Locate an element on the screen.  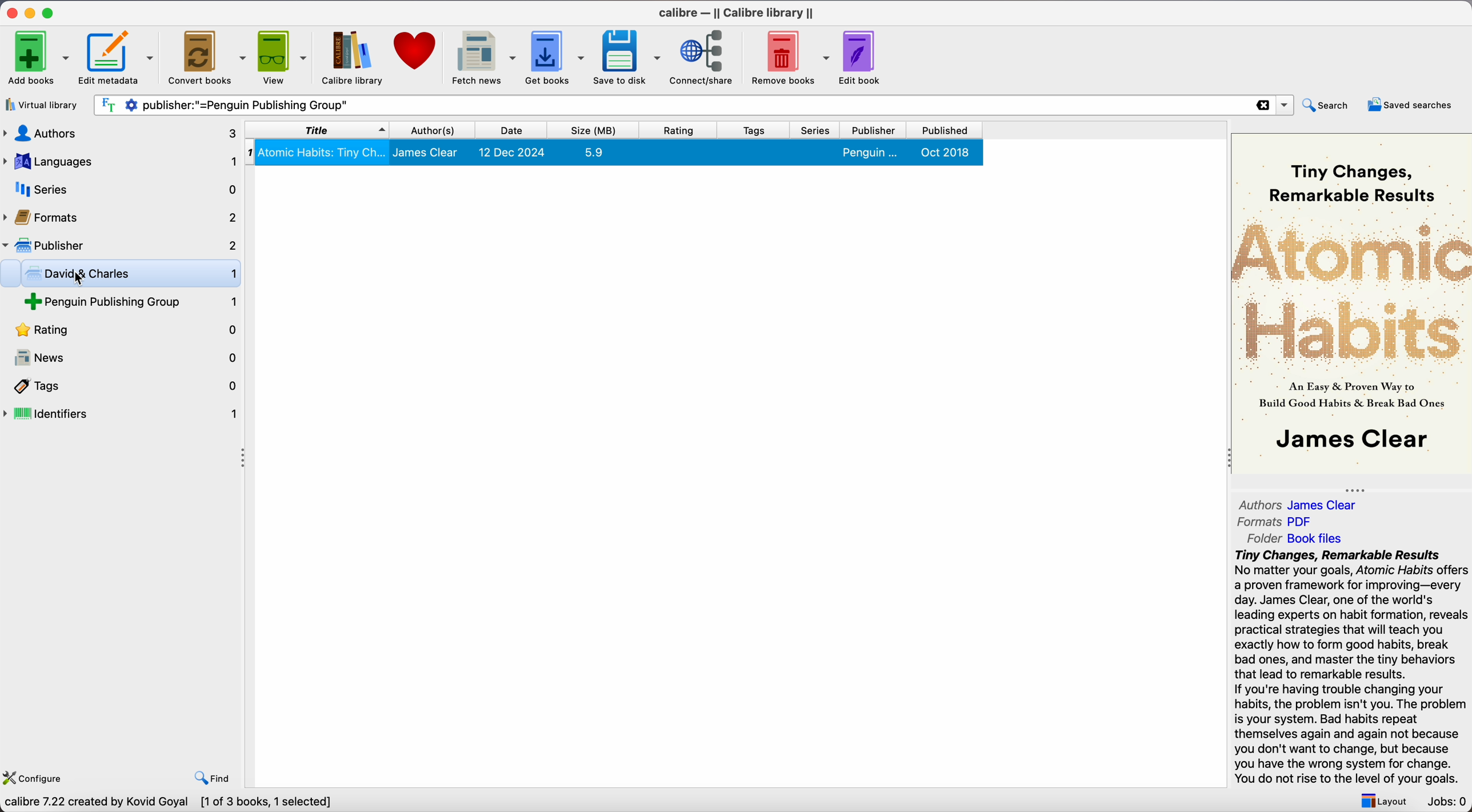
date is located at coordinates (517, 130).